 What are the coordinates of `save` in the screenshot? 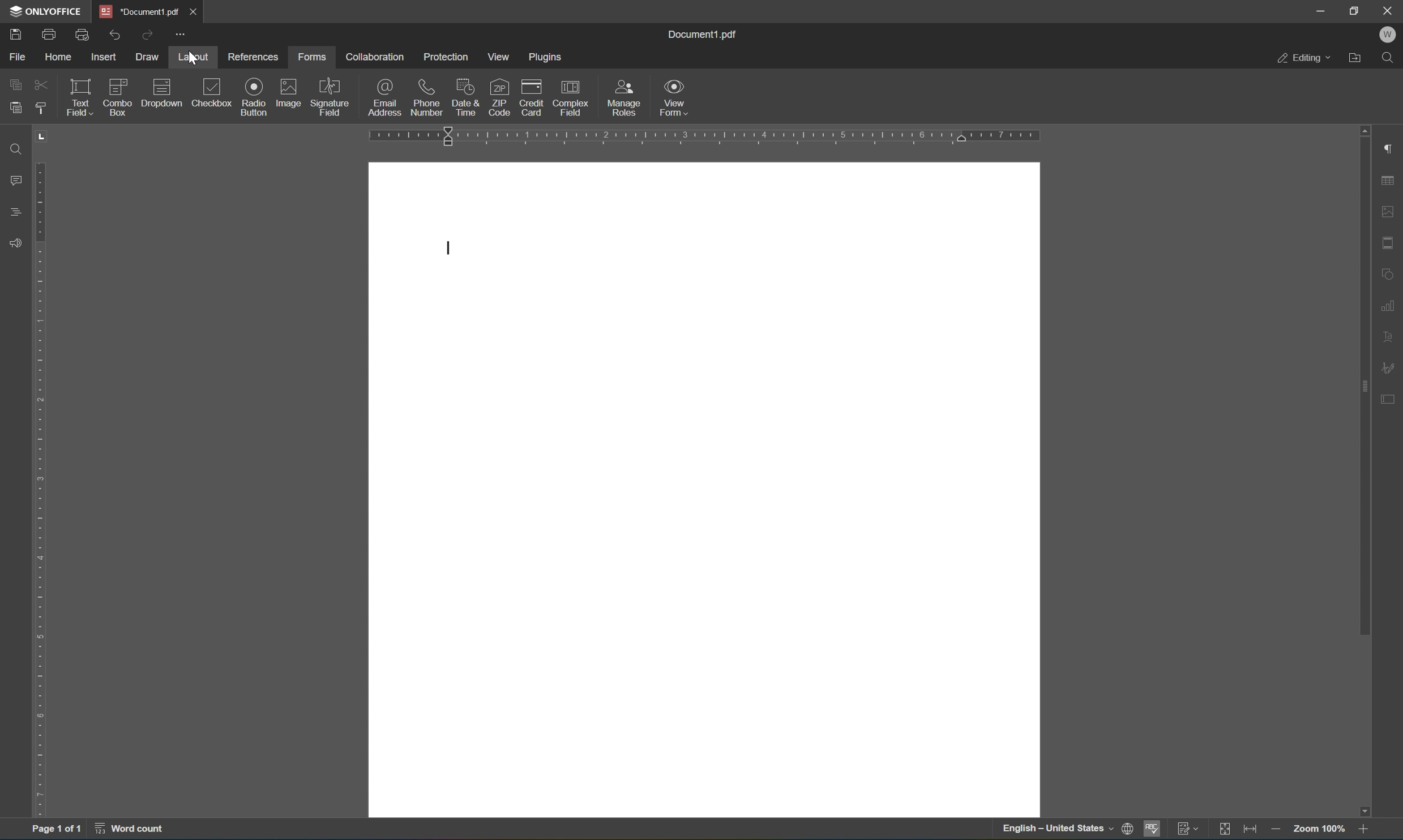 It's located at (15, 33).